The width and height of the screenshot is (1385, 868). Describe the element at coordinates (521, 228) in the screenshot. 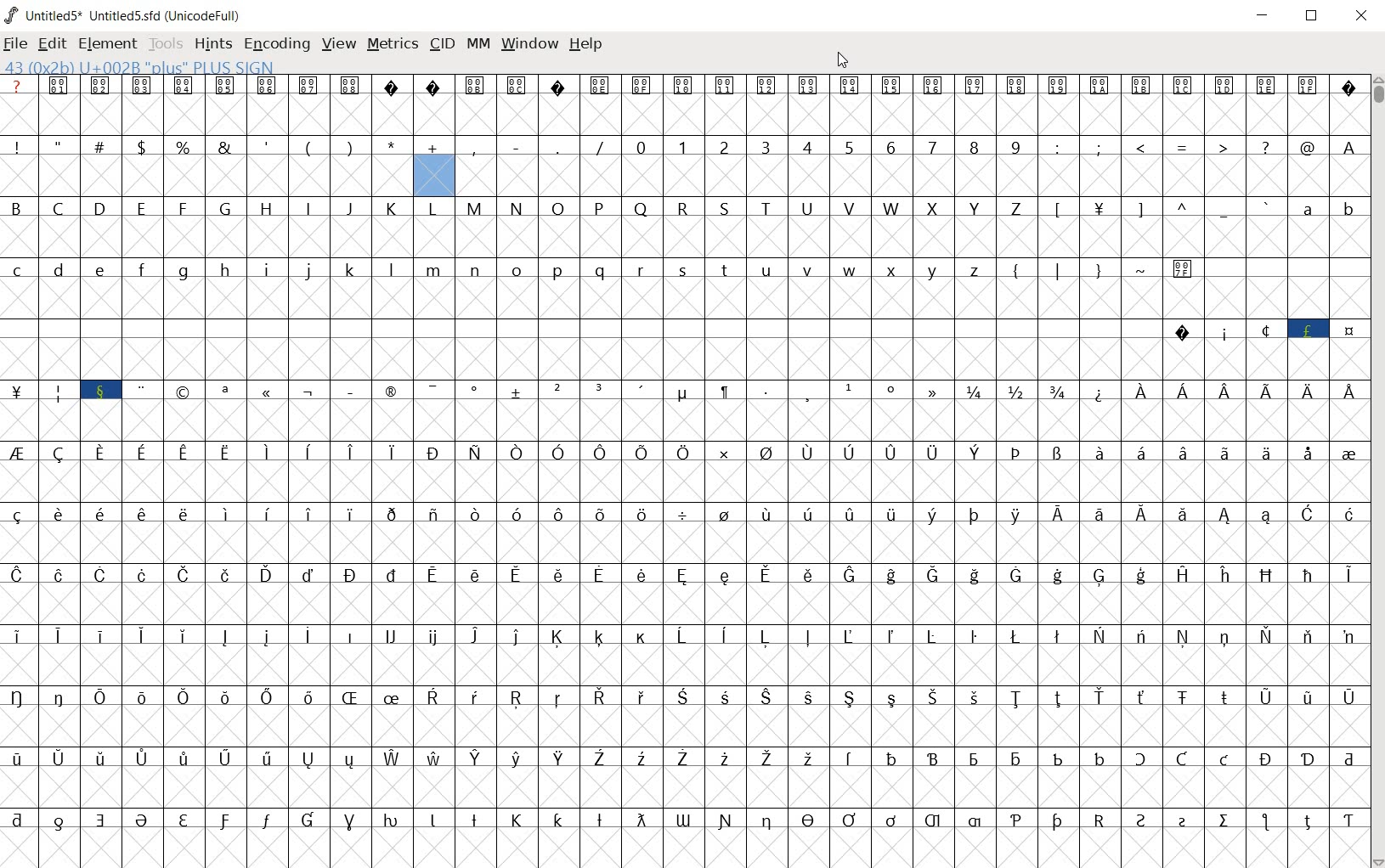

I see `alphabets` at that location.